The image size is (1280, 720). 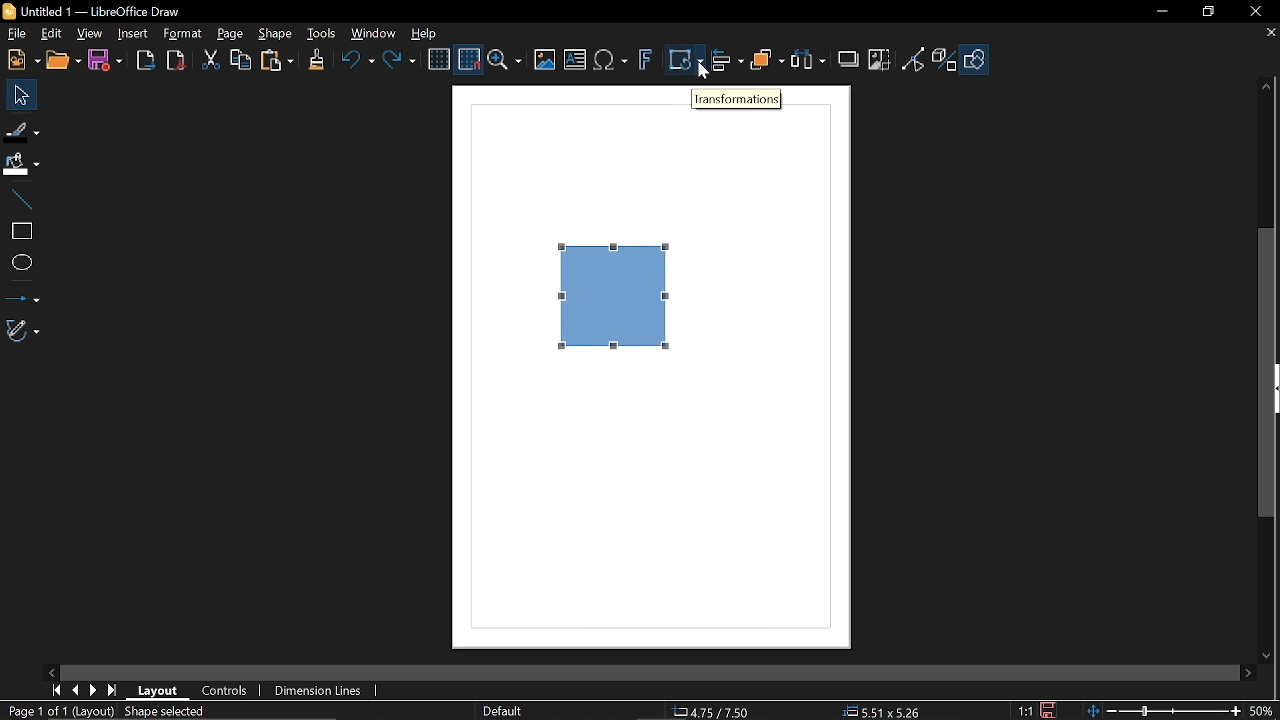 What do you see at coordinates (276, 63) in the screenshot?
I see `Paste` at bounding box center [276, 63].